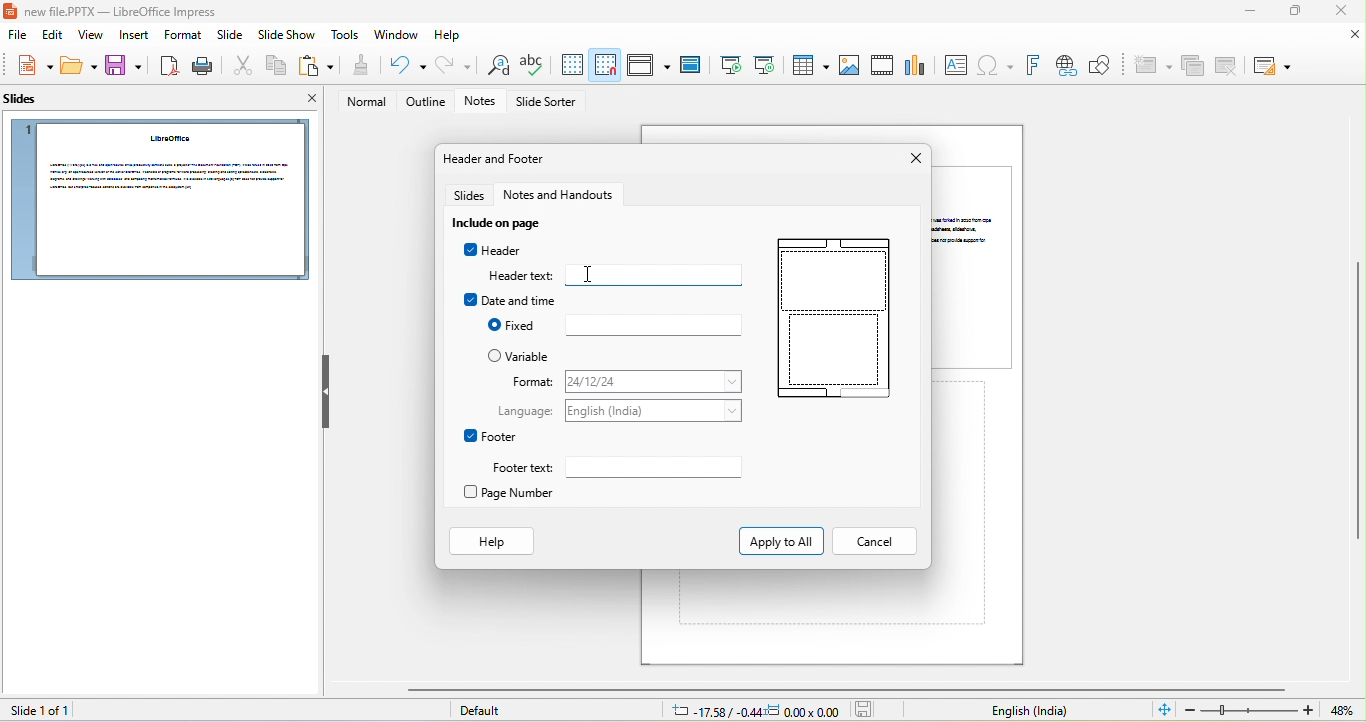  I want to click on edit, so click(50, 37).